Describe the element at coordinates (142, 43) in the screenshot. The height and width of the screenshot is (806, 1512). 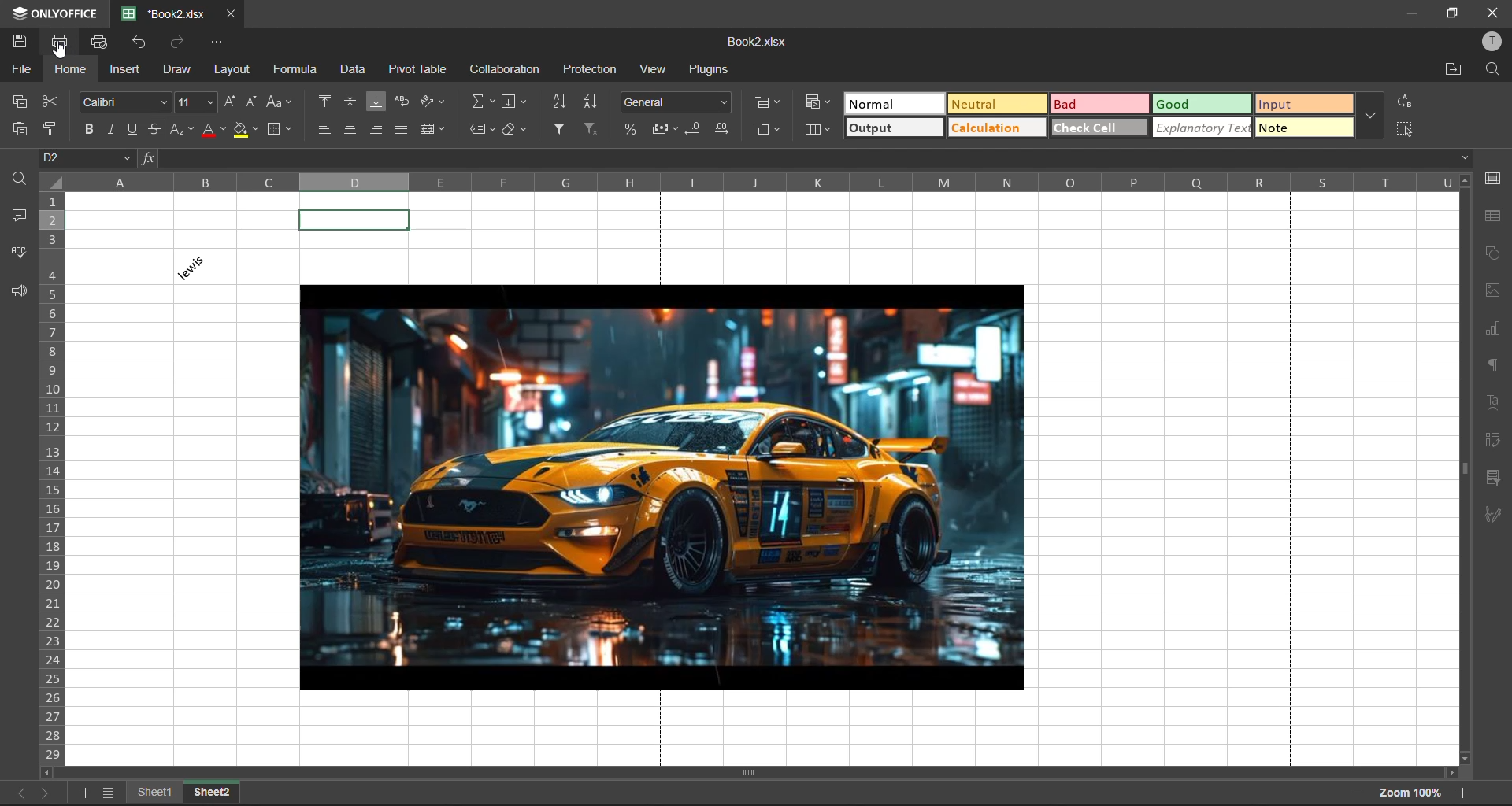
I see `undo` at that location.